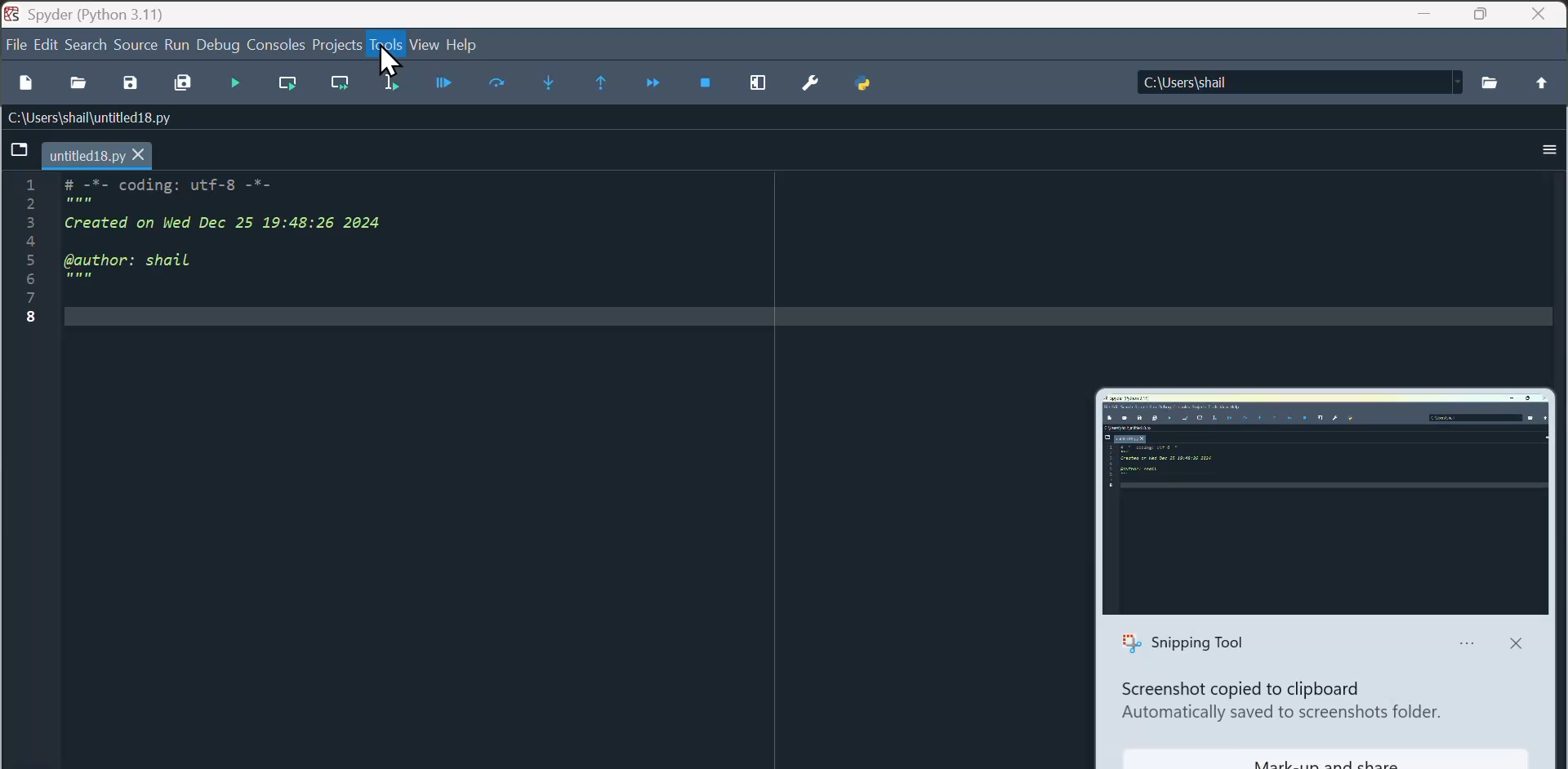 The height and width of the screenshot is (769, 1568). Describe the element at coordinates (1425, 16) in the screenshot. I see `minimise` at that location.